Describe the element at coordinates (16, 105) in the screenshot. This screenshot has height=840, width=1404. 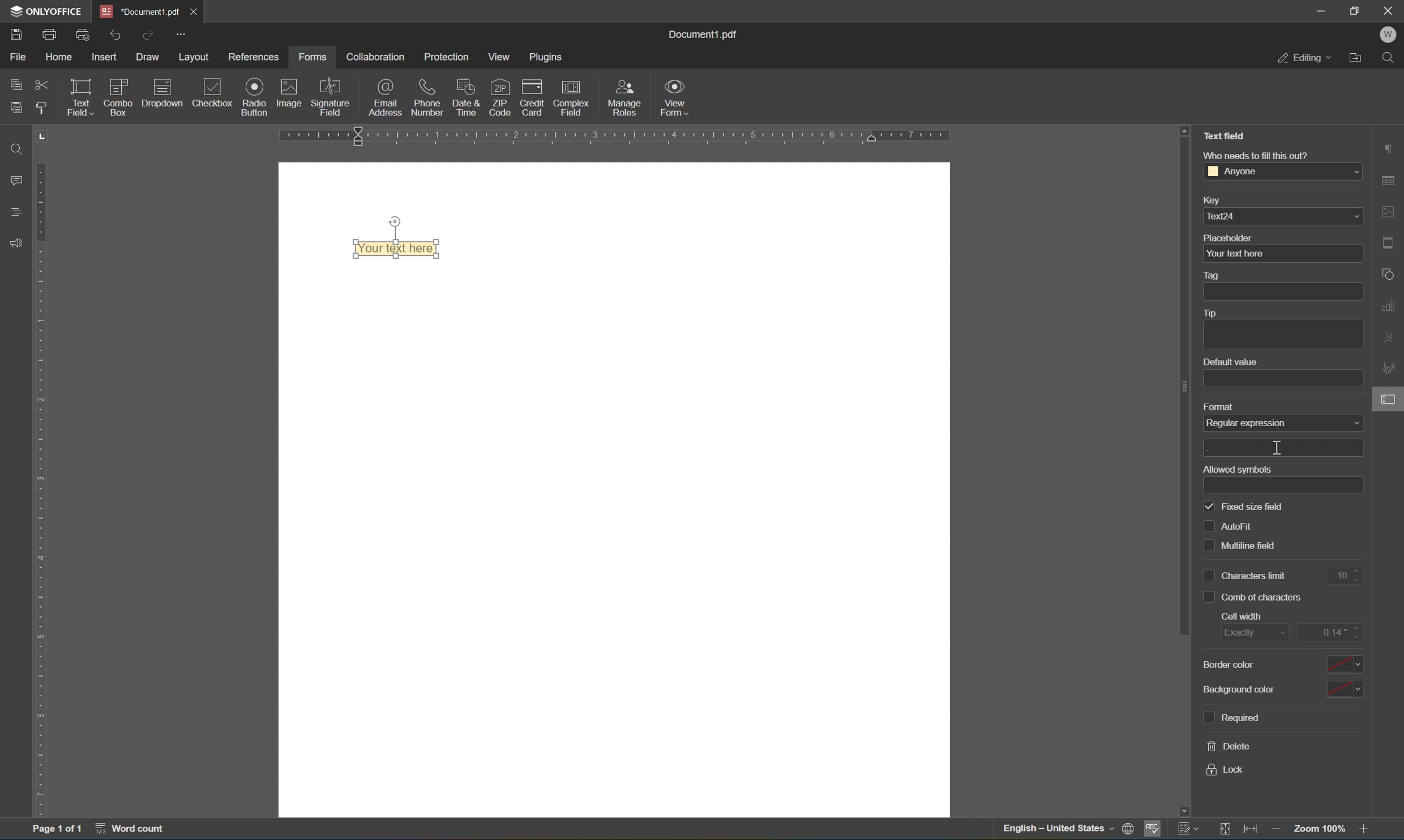
I see `paste` at that location.